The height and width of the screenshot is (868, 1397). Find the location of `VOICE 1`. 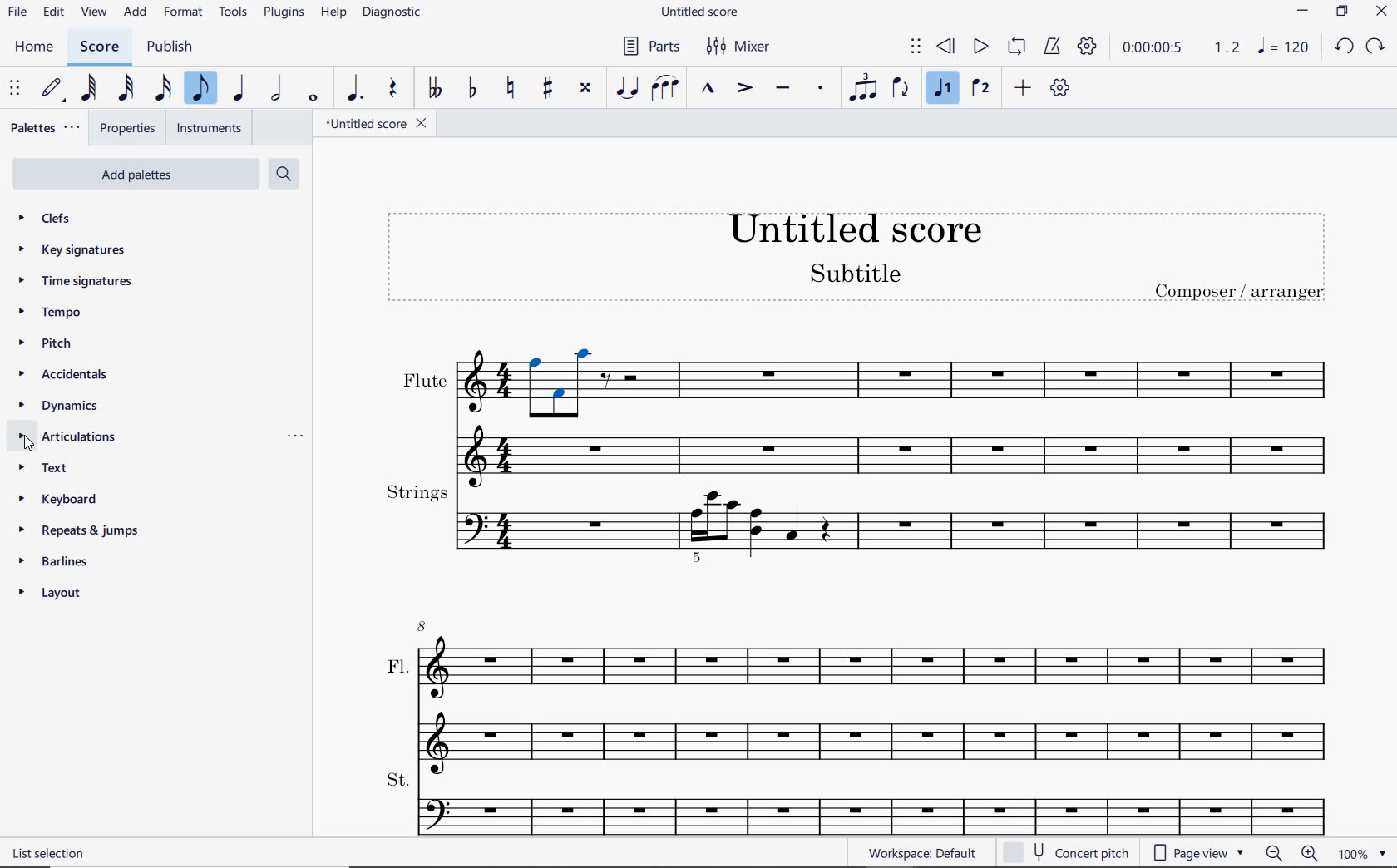

VOICE 1 is located at coordinates (945, 90).